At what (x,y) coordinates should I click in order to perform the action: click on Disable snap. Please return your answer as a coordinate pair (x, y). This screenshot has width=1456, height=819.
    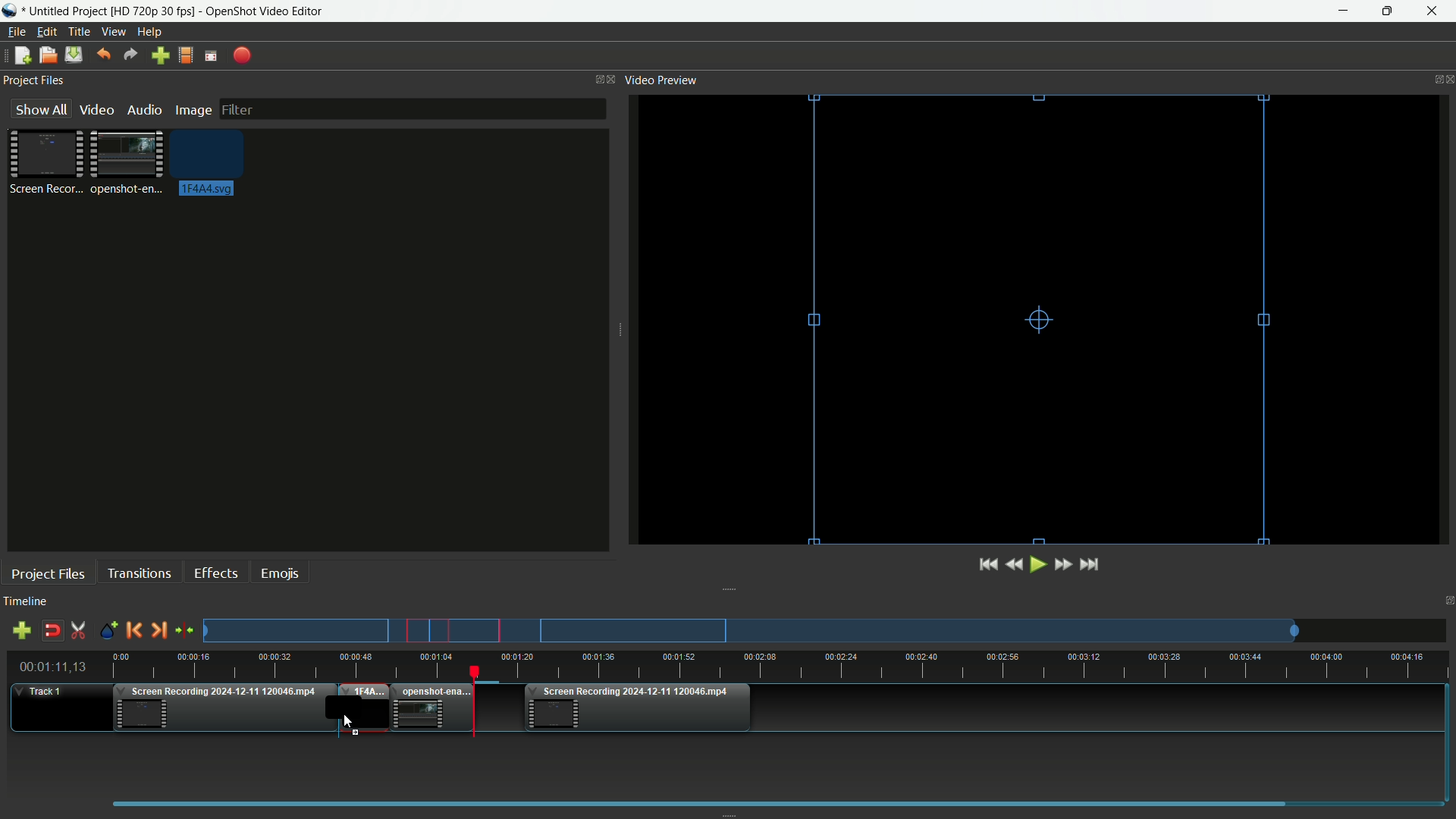
    Looking at the image, I should click on (54, 631).